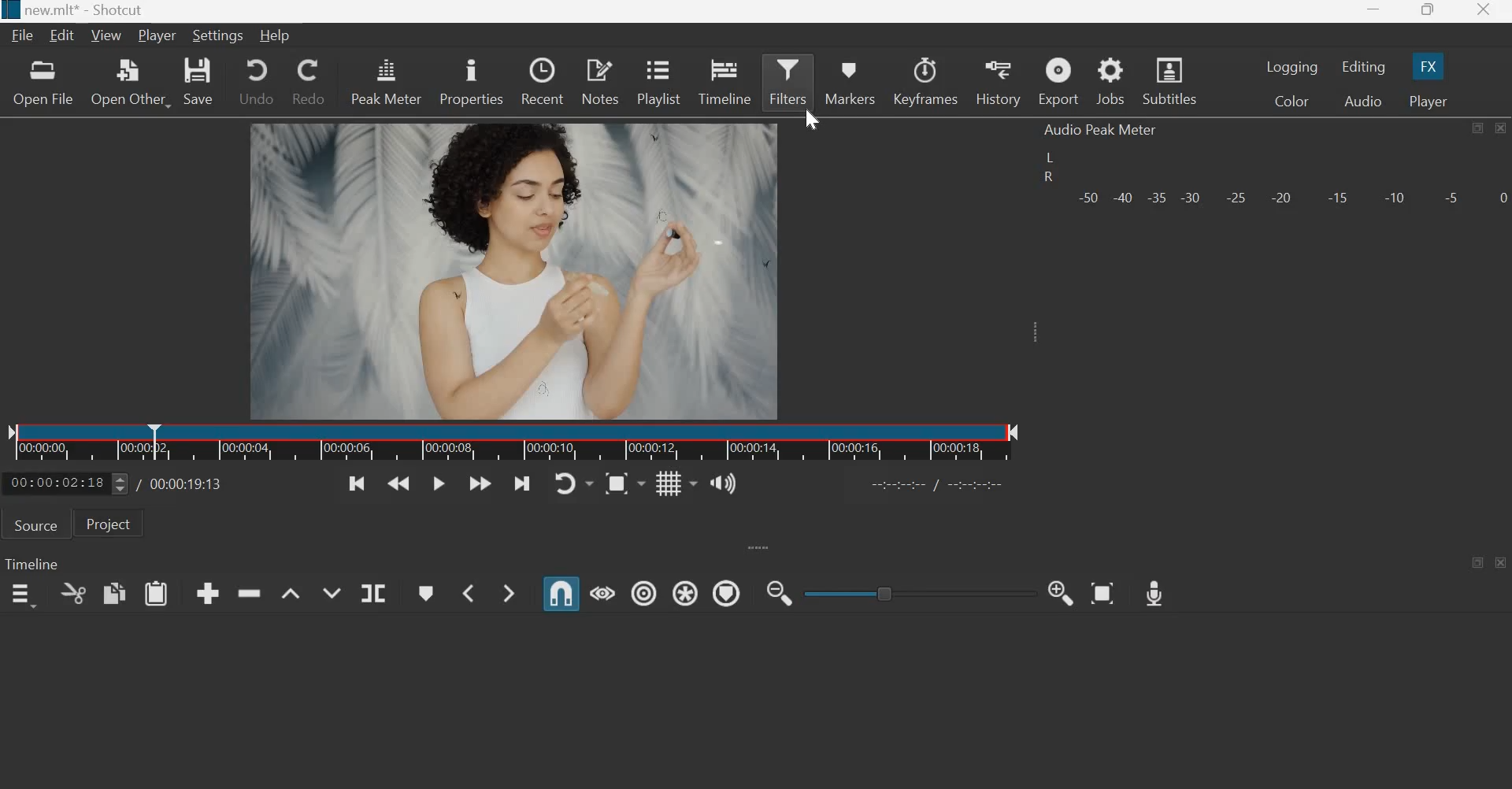 This screenshot has height=789, width=1512. I want to click on Play quickly backwards, so click(402, 483).